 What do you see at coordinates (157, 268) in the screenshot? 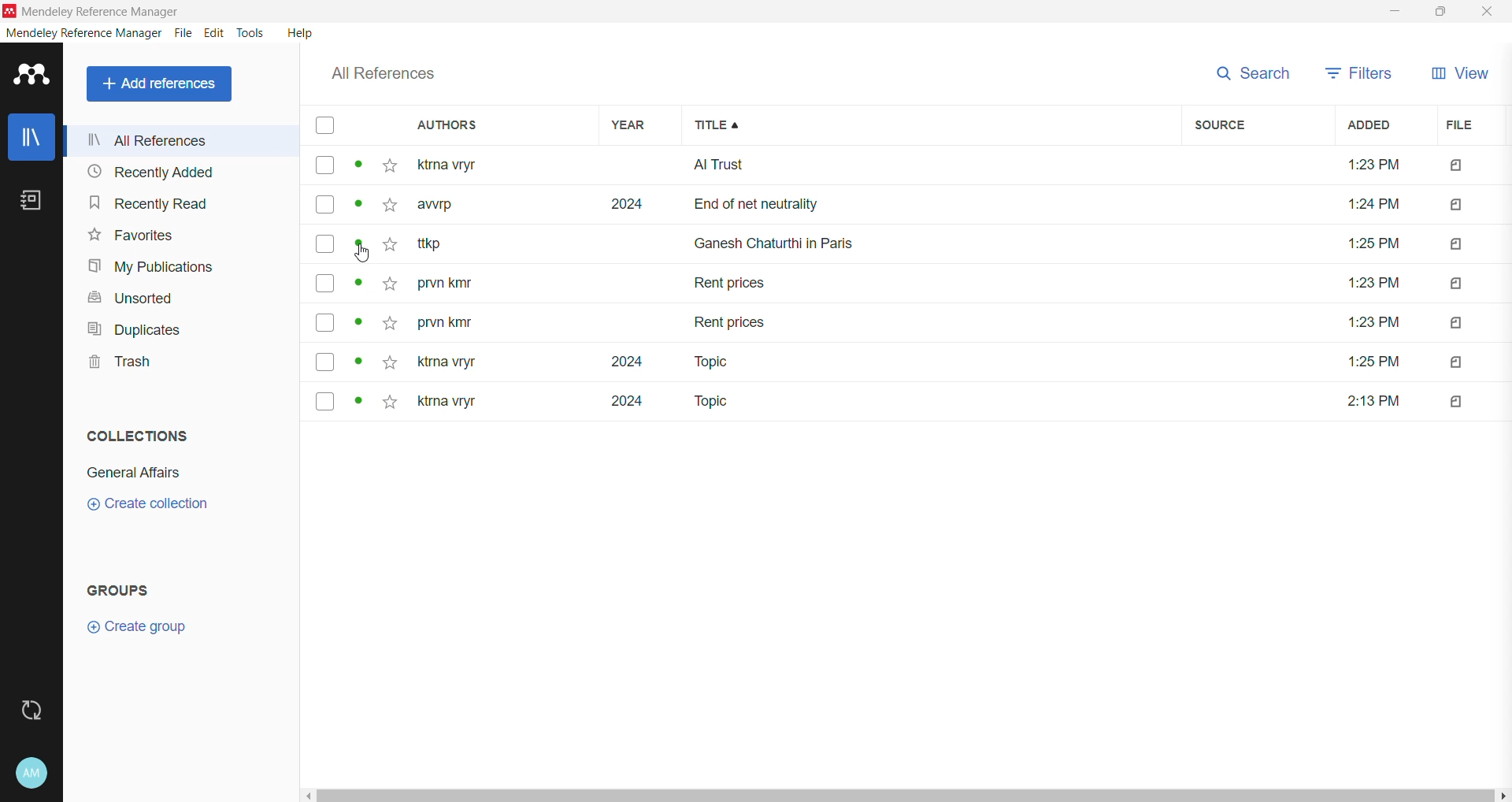
I see `My Publications` at bounding box center [157, 268].